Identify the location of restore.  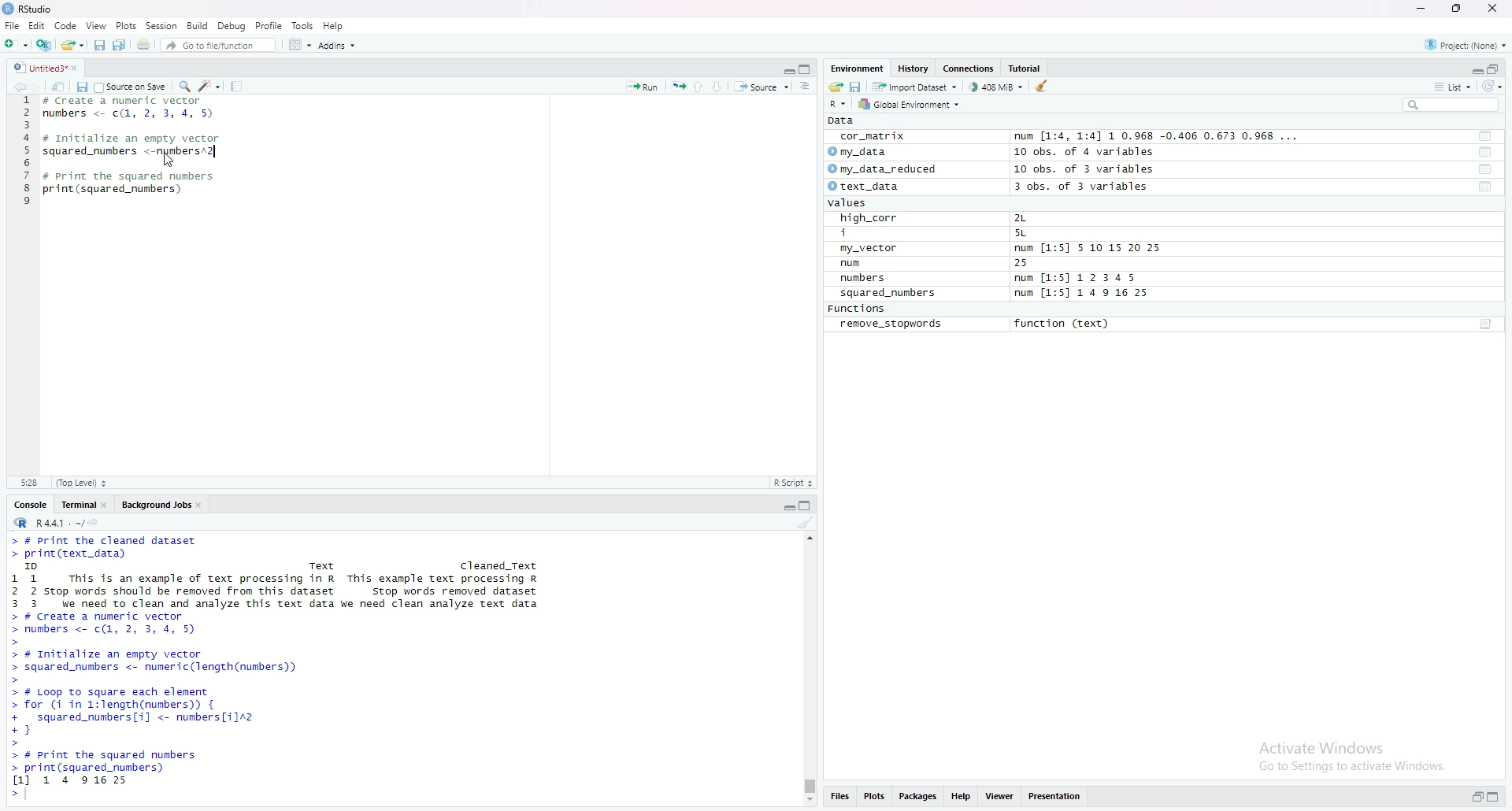
(1477, 798).